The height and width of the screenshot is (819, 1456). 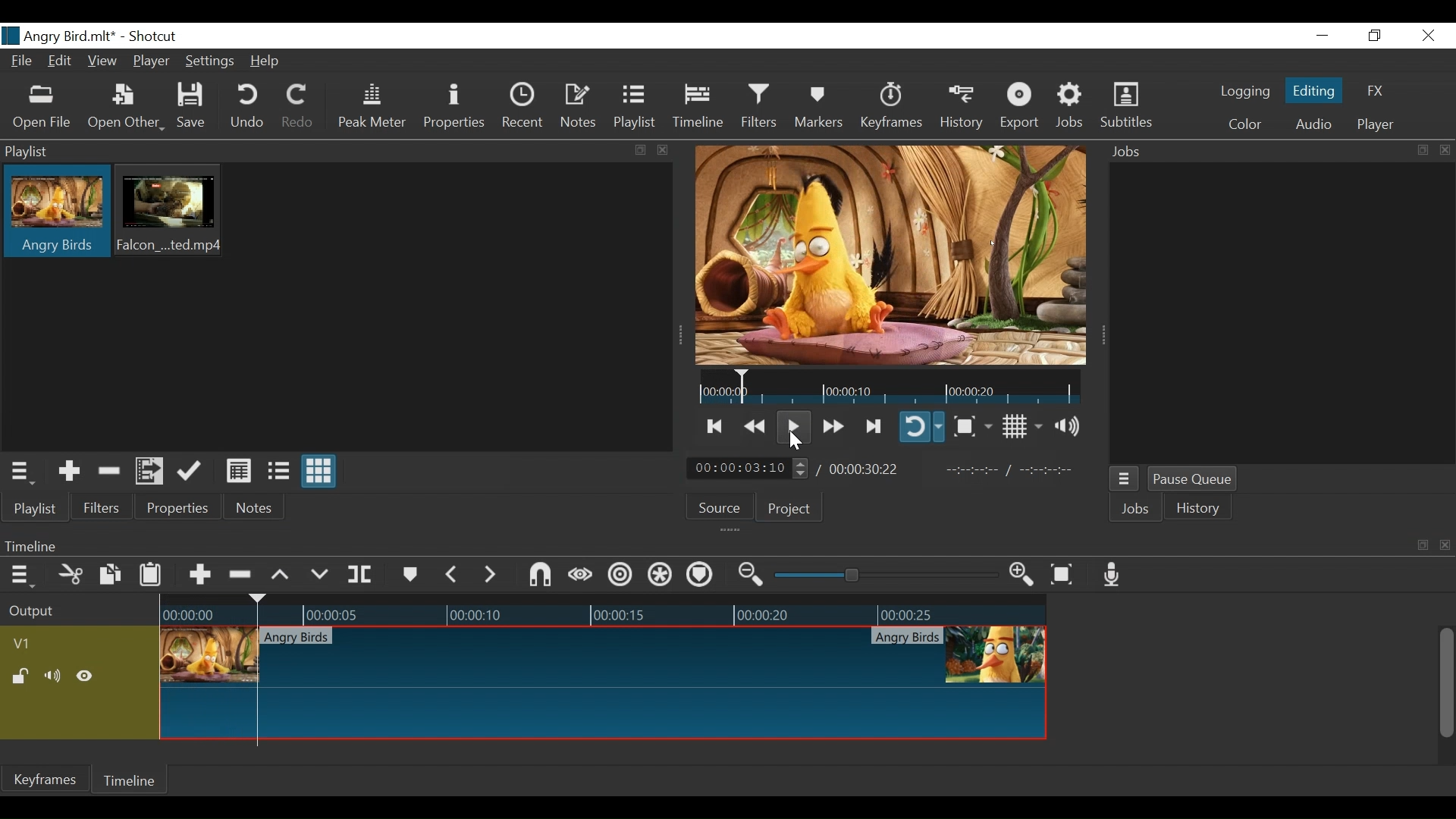 What do you see at coordinates (1202, 510) in the screenshot?
I see `History` at bounding box center [1202, 510].